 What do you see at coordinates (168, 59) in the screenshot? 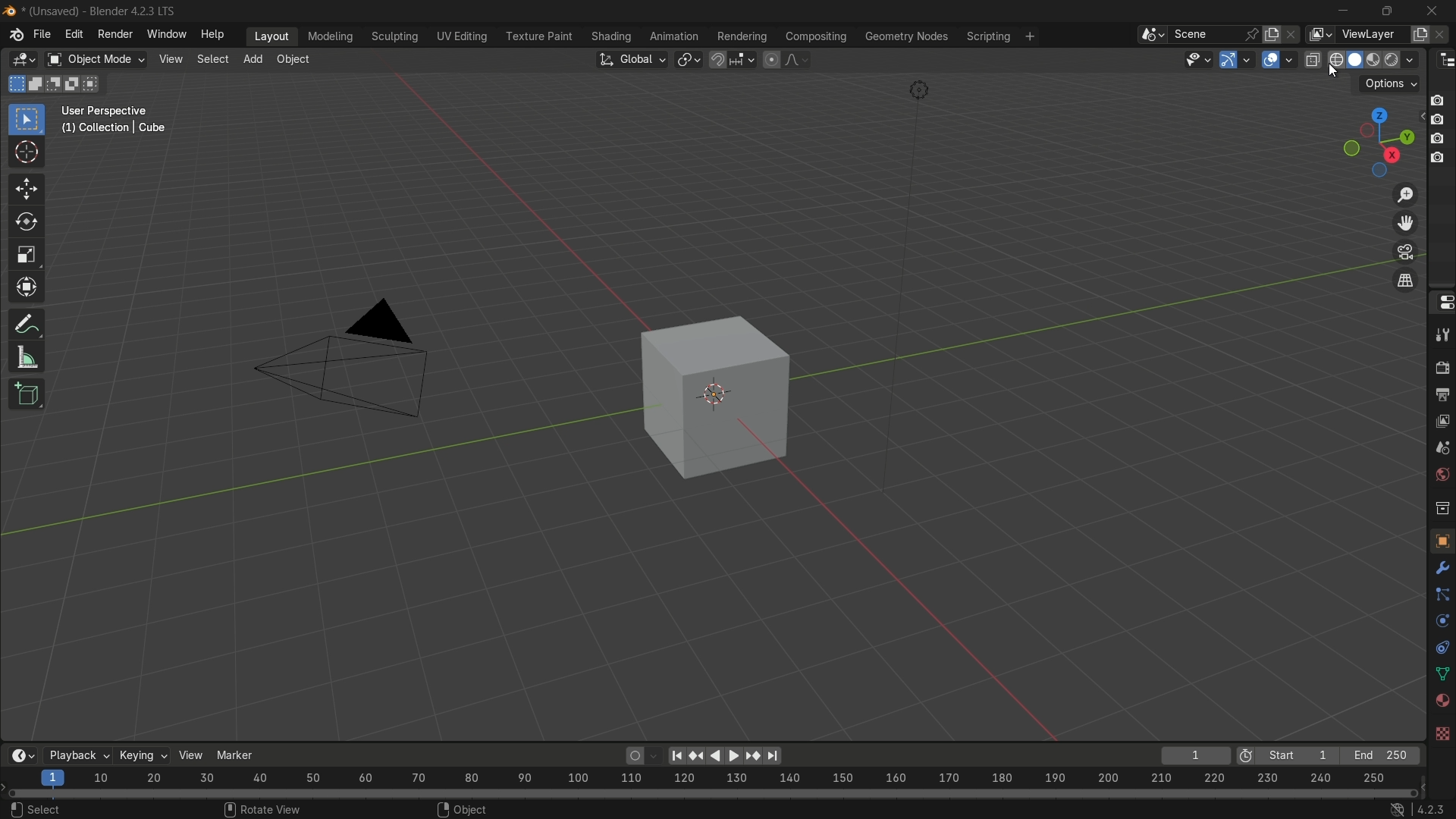
I see `view tab` at bounding box center [168, 59].